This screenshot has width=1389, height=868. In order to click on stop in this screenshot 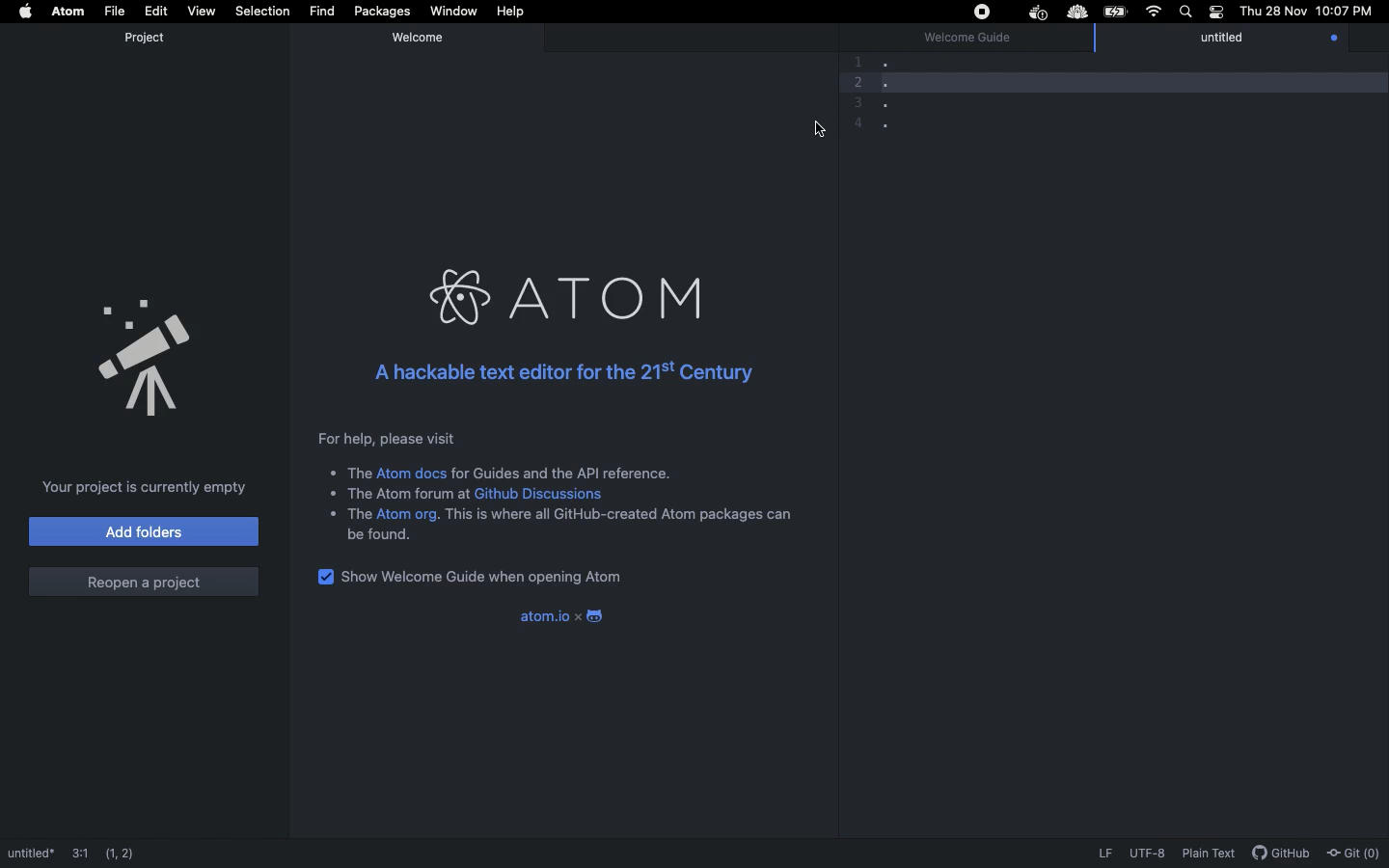, I will do `click(980, 12)`.